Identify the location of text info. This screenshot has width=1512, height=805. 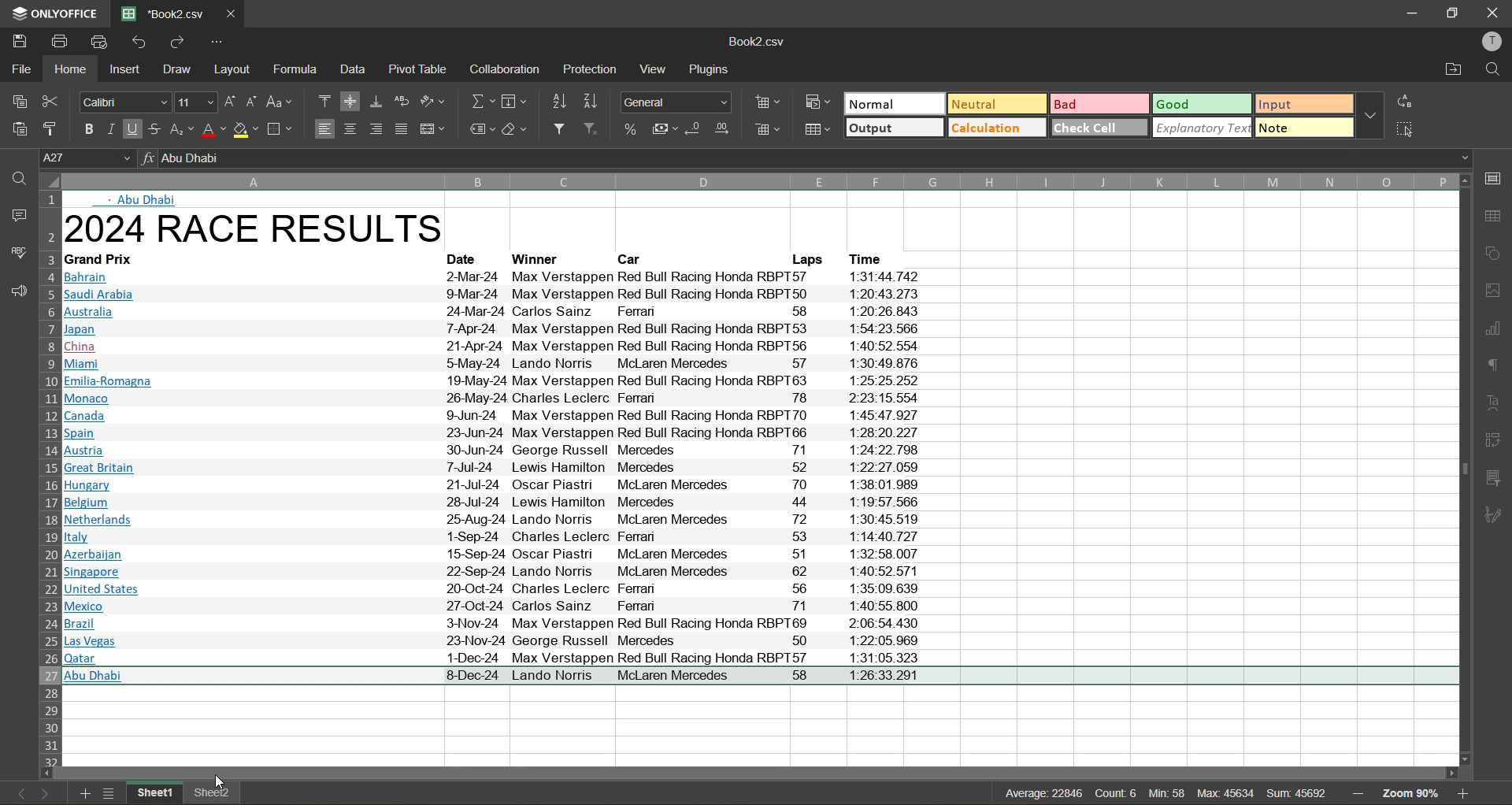
(106, 260).